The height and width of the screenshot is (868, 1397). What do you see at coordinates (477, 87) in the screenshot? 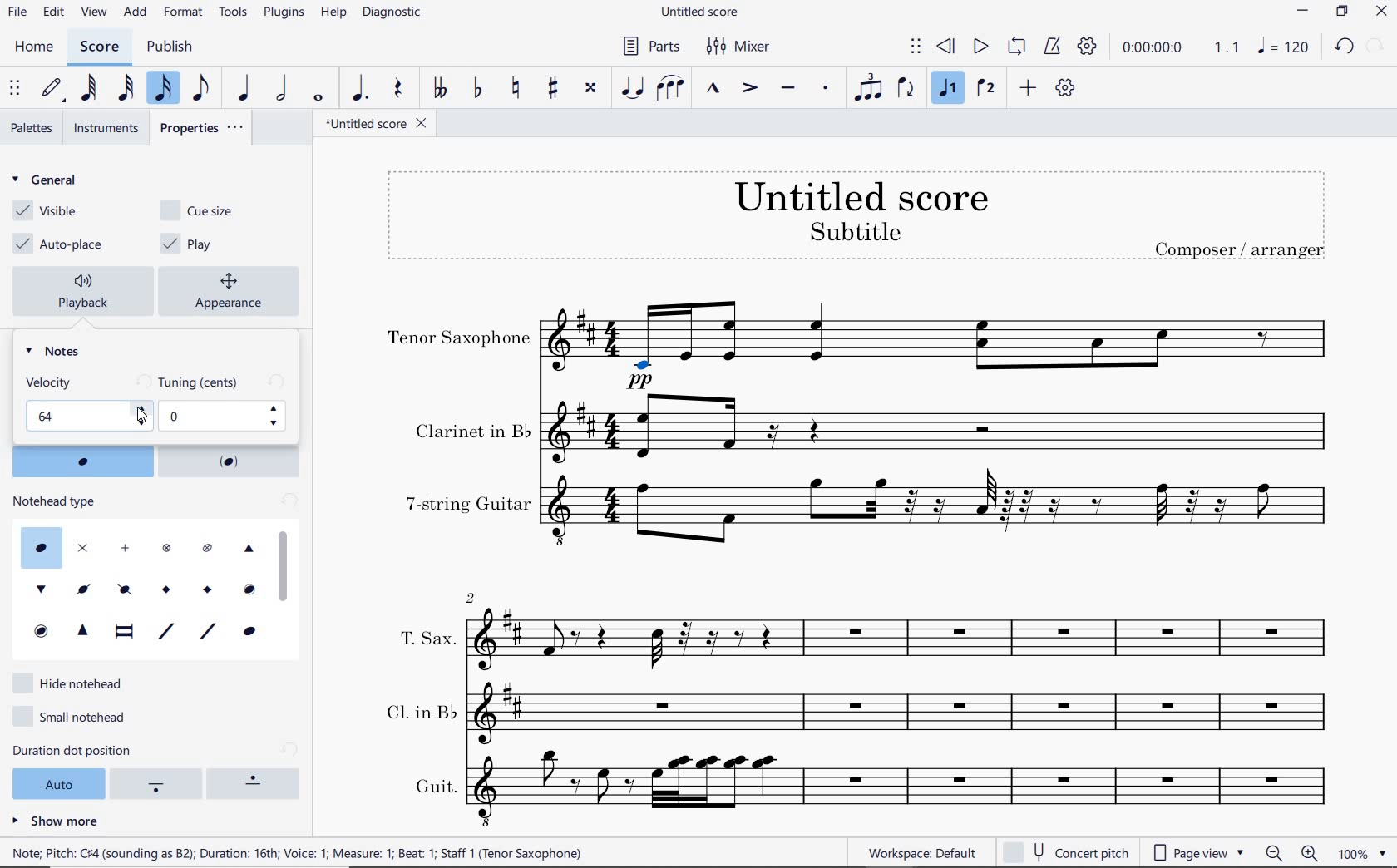
I see `TOGGLE FLAT` at bounding box center [477, 87].